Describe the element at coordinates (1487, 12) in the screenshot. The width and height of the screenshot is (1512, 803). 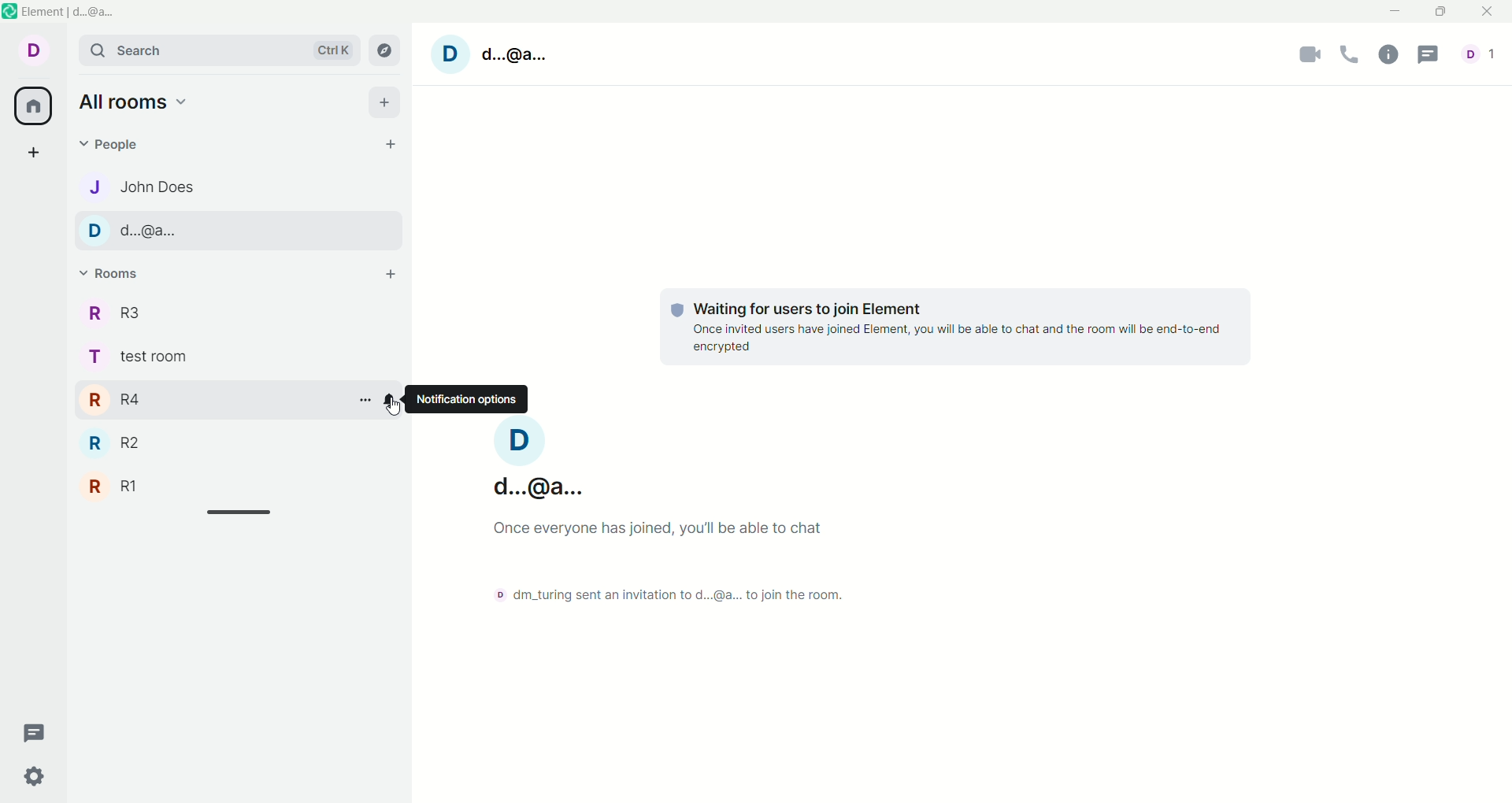
I see `close` at that location.